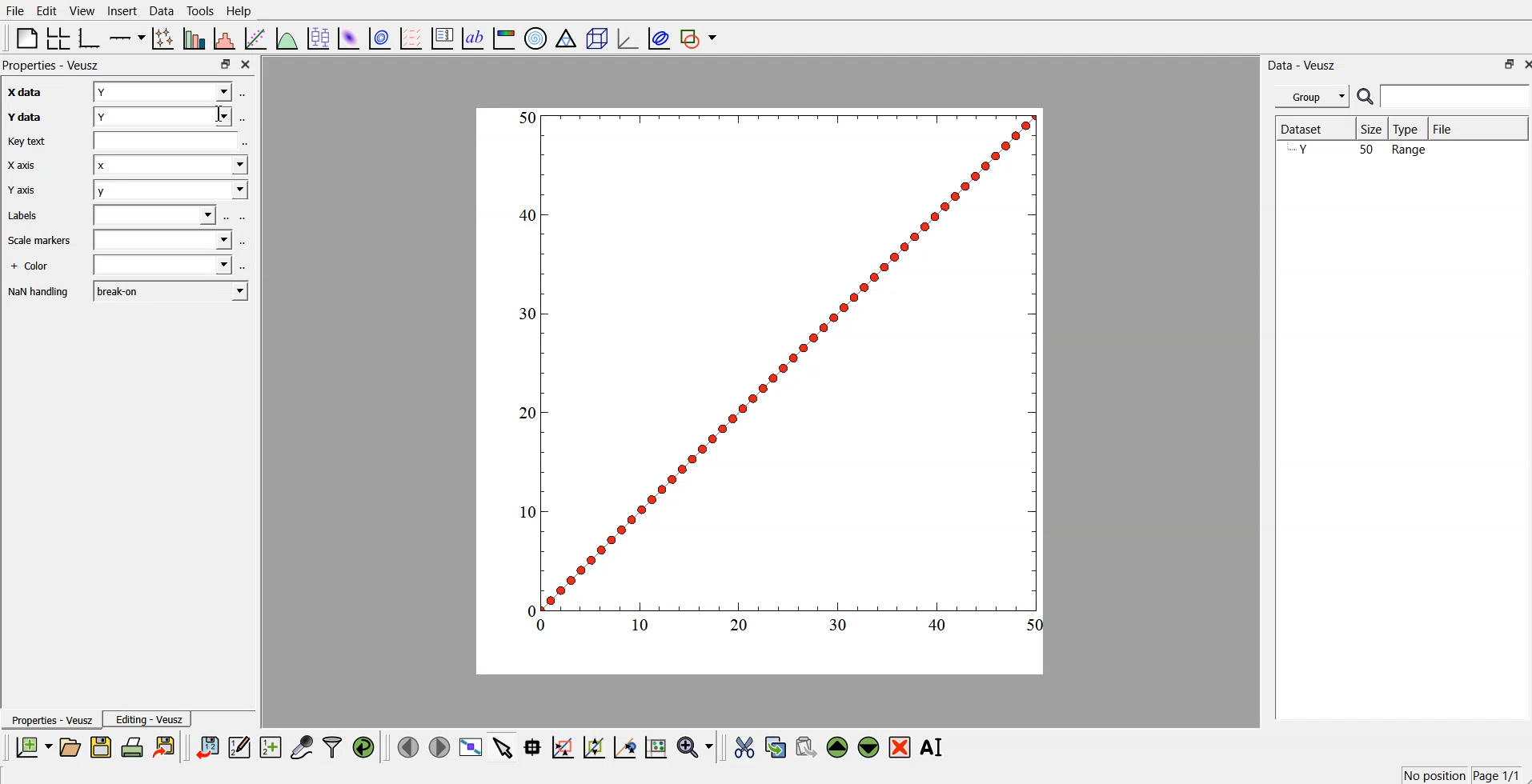  What do you see at coordinates (439, 746) in the screenshot?
I see `move to next page` at bounding box center [439, 746].